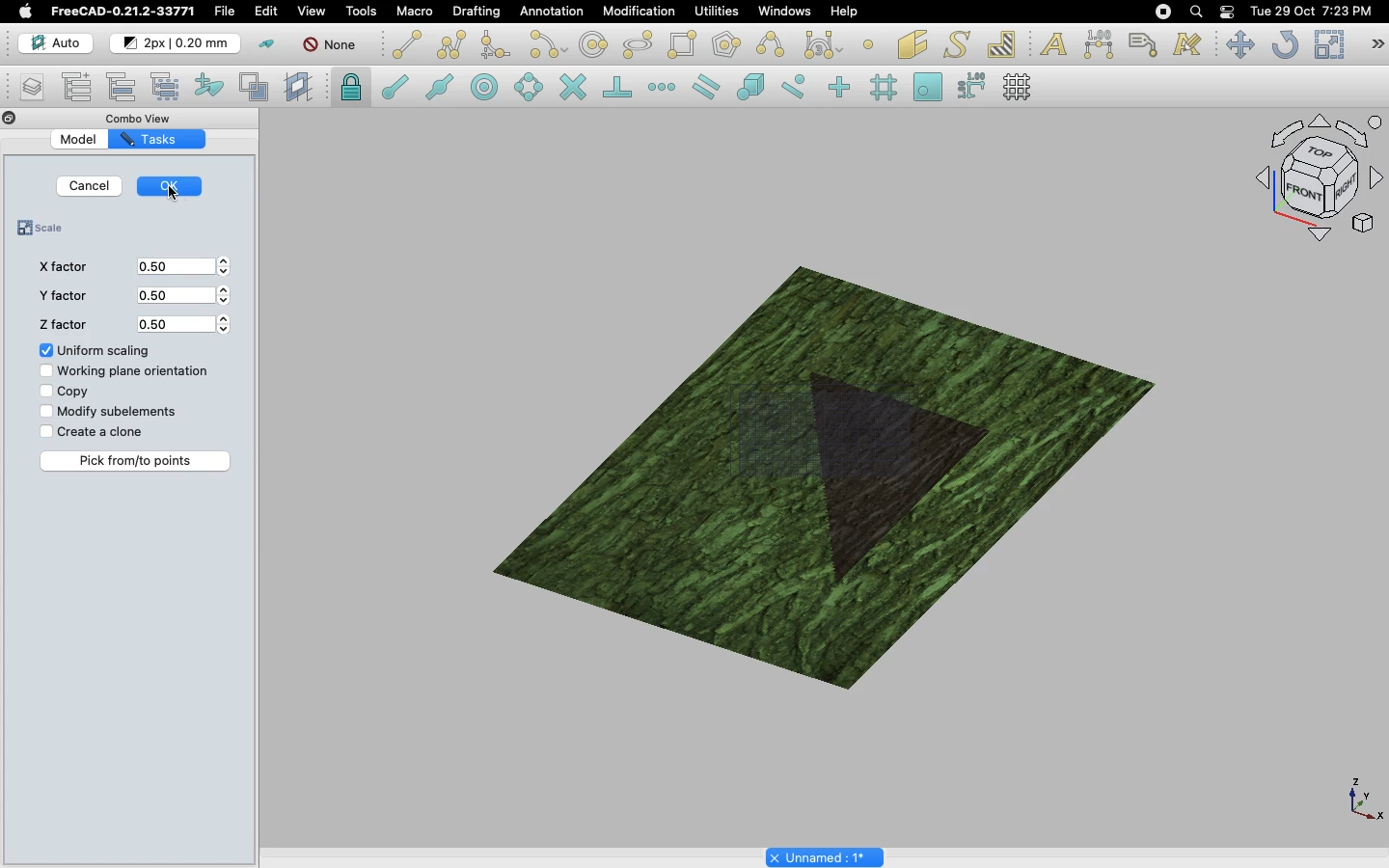 This screenshot has width=1389, height=868. What do you see at coordinates (482, 88) in the screenshot?
I see `Snap center` at bounding box center [482, 88].